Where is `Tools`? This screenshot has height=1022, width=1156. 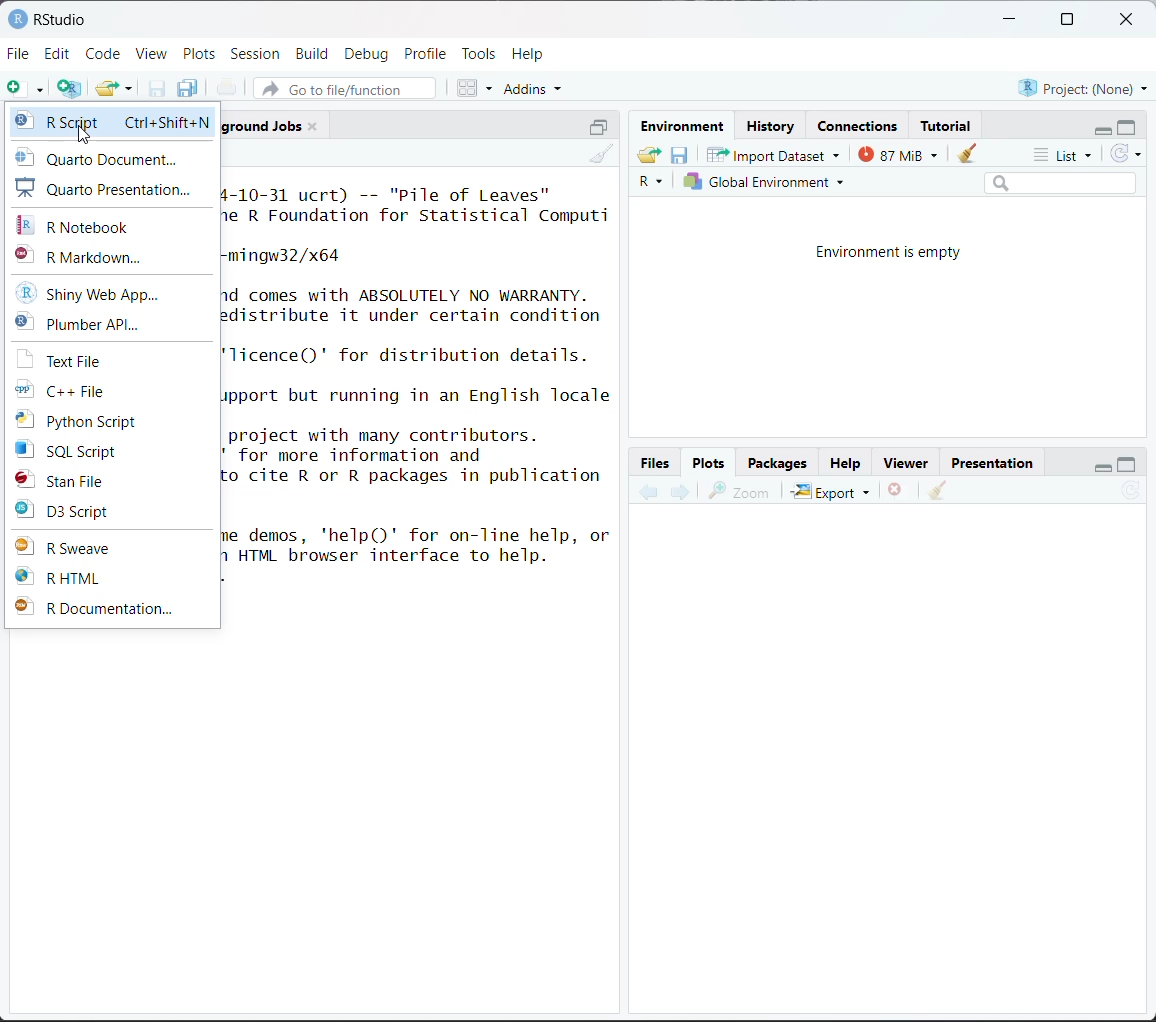 Tools is located at coordinates (479, 52).